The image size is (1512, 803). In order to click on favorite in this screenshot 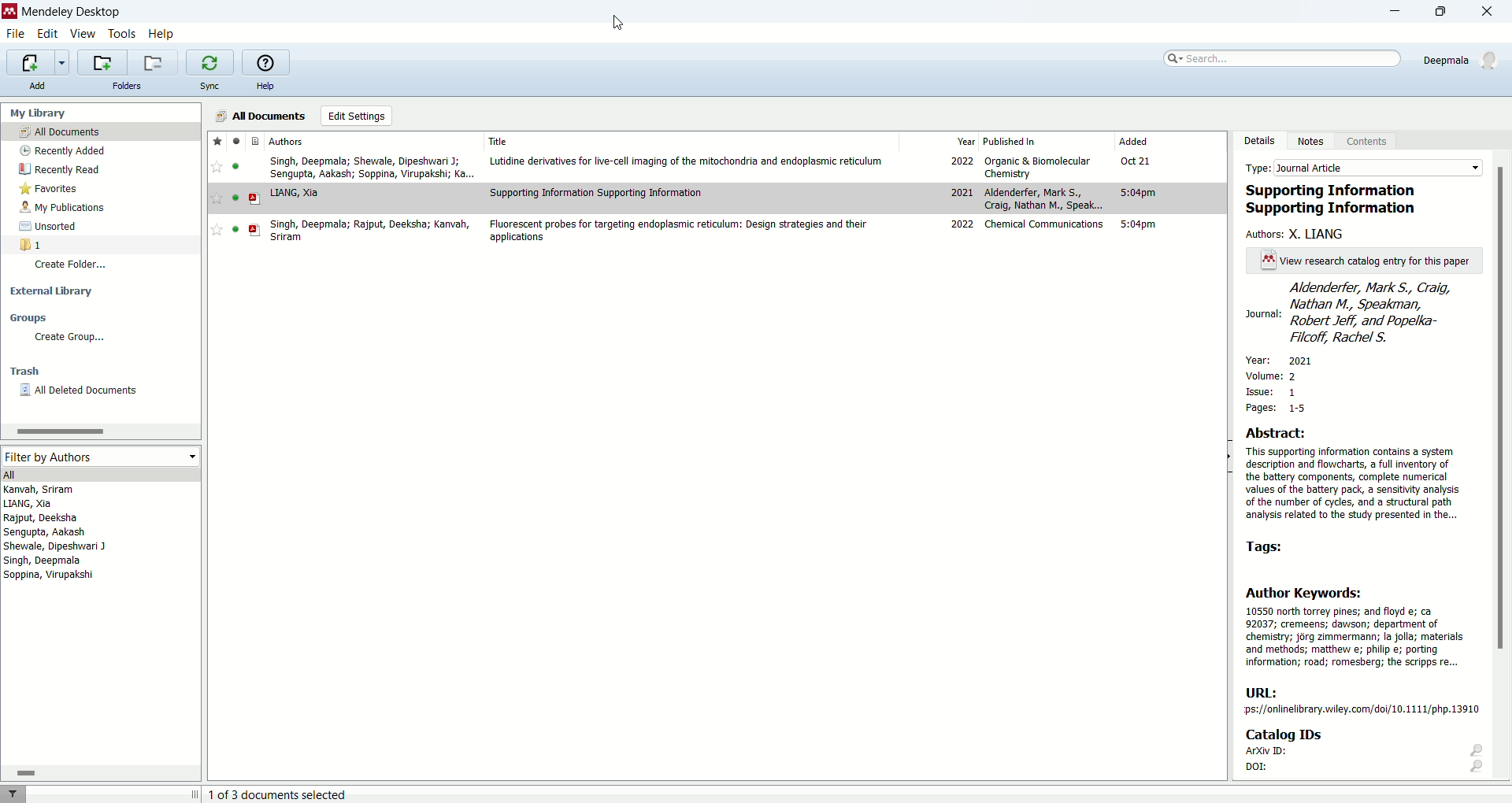, I will do `click(216, 230)`.